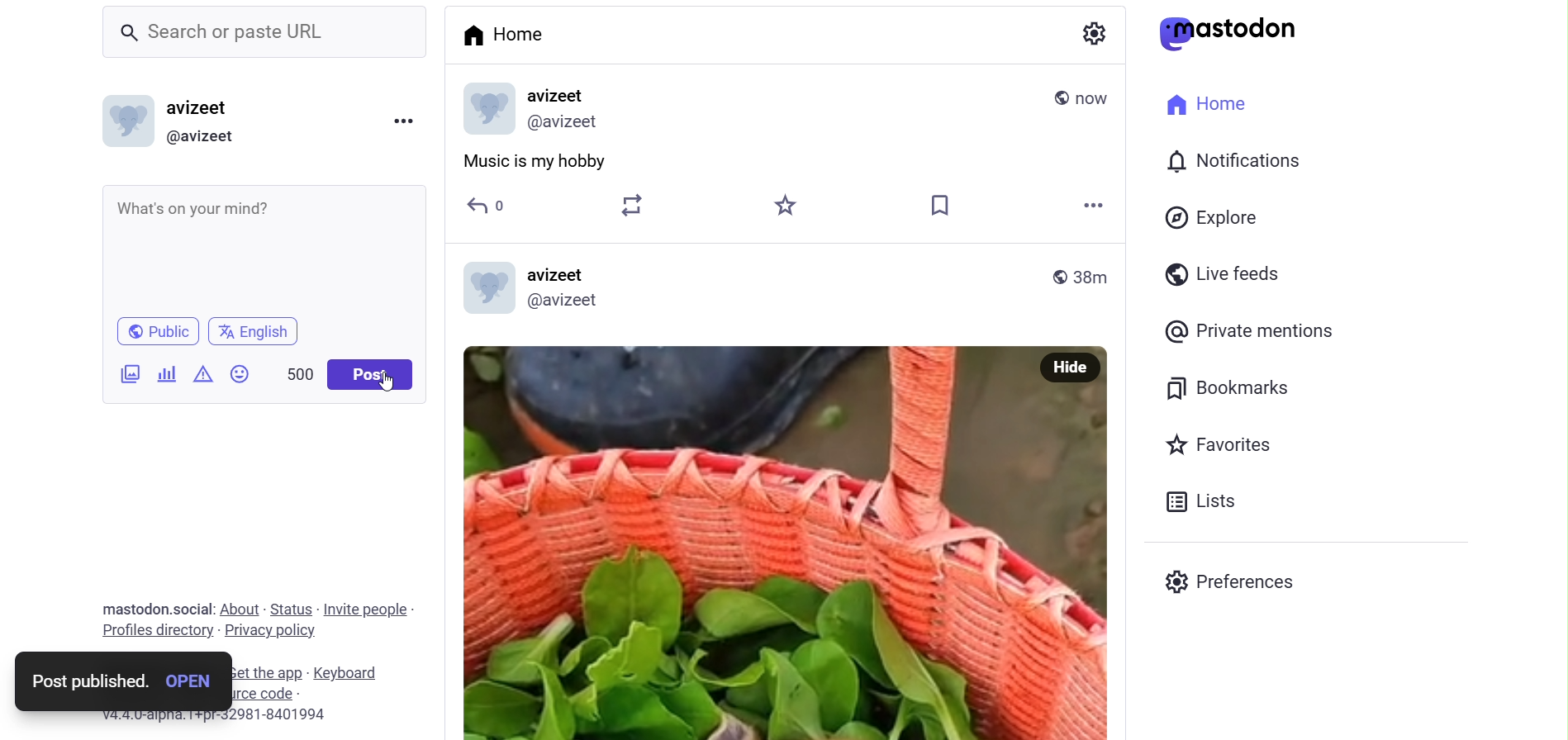 This screenshot has width=1568, height=740. Describe the element at coordinates (1247, 331) in the screenshot. I see `private Mentions` at that location.